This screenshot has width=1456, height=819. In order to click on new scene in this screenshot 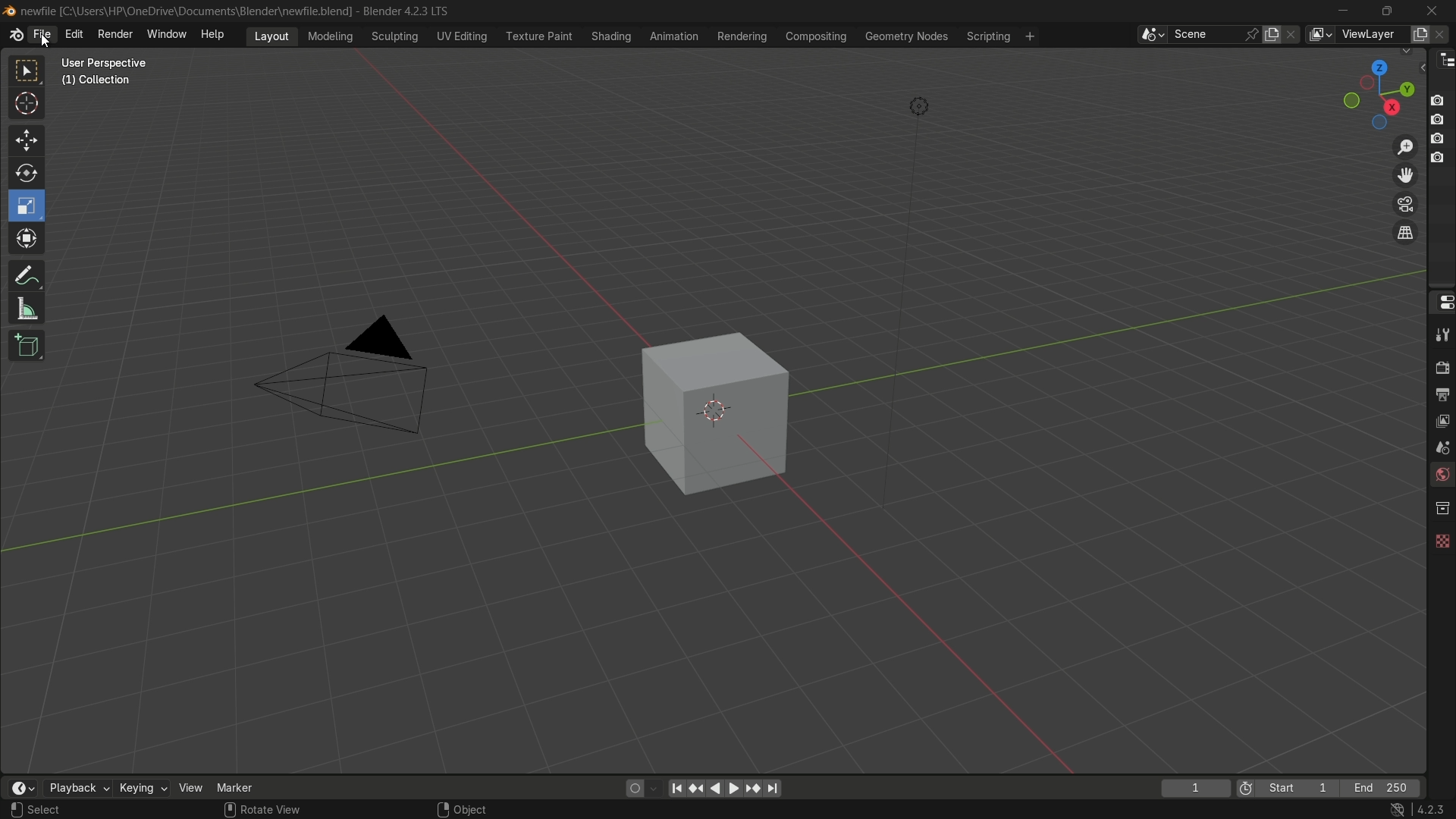, I will do `click(1275, 34)`.